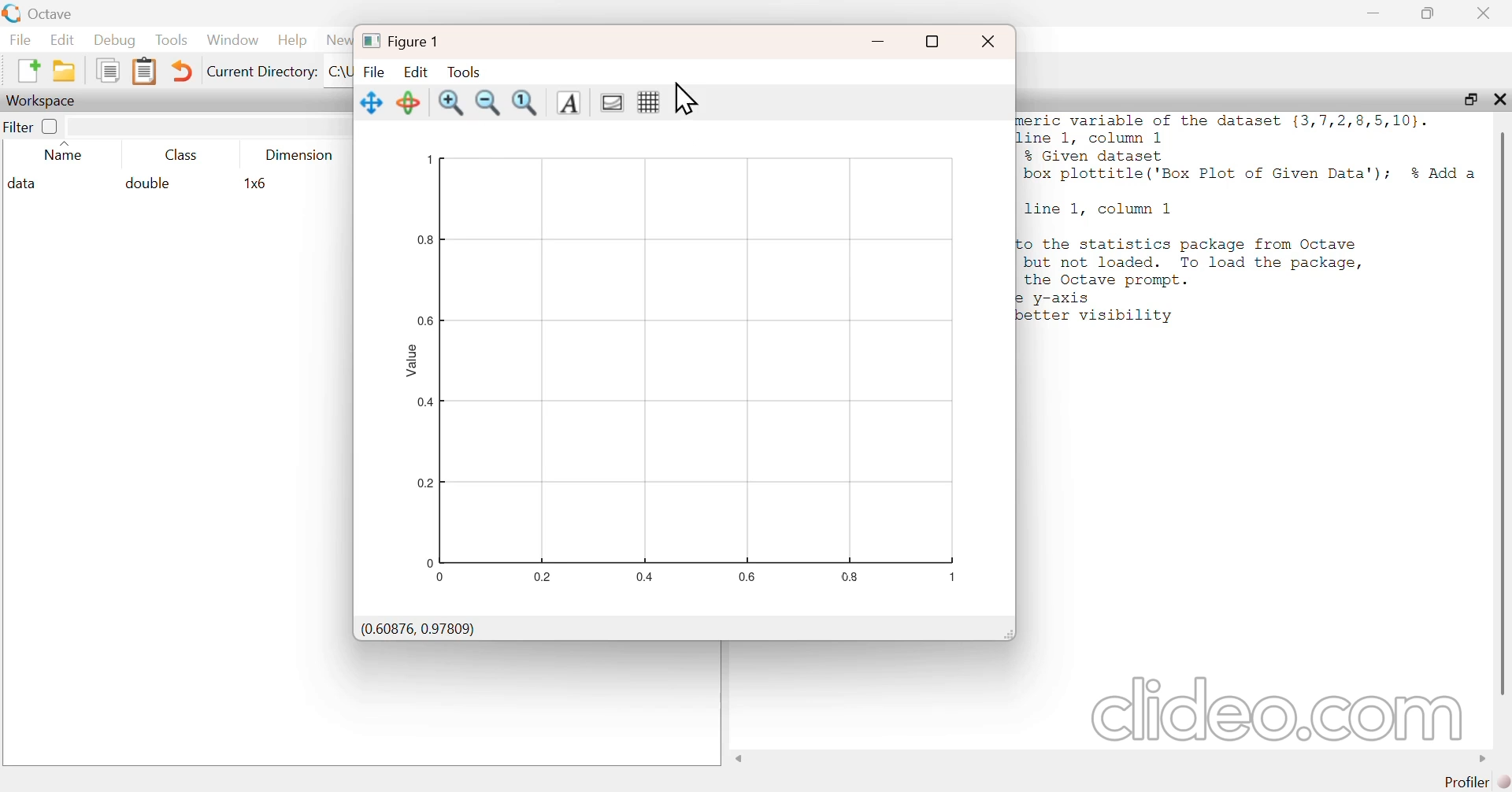  What do you see at coordinates (115, 39) in the screenshot?
I see `debug` at bounding box center [115, 39].